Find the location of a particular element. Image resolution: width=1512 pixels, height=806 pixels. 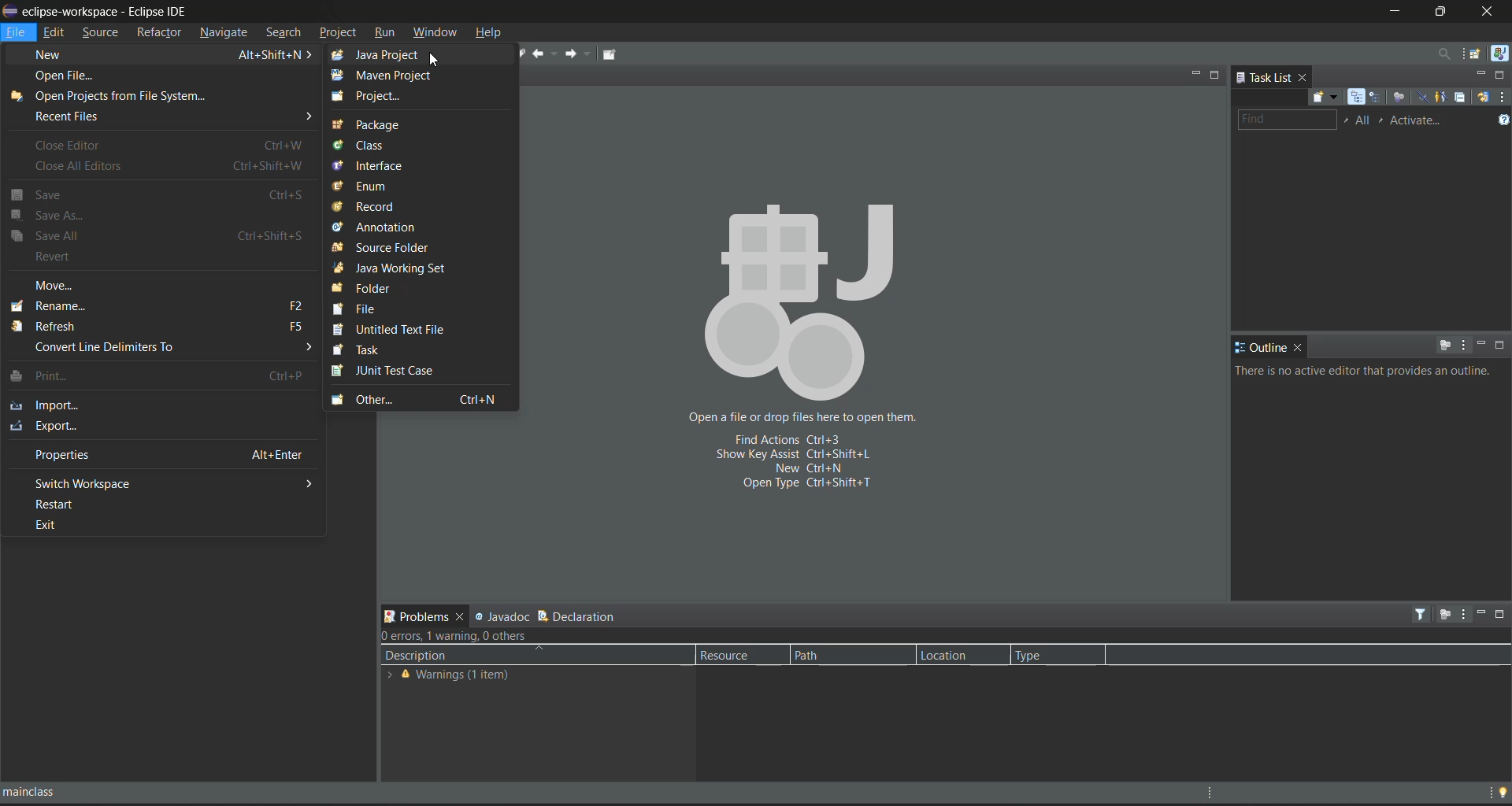

categorized is located at coordinates (1358, 97).